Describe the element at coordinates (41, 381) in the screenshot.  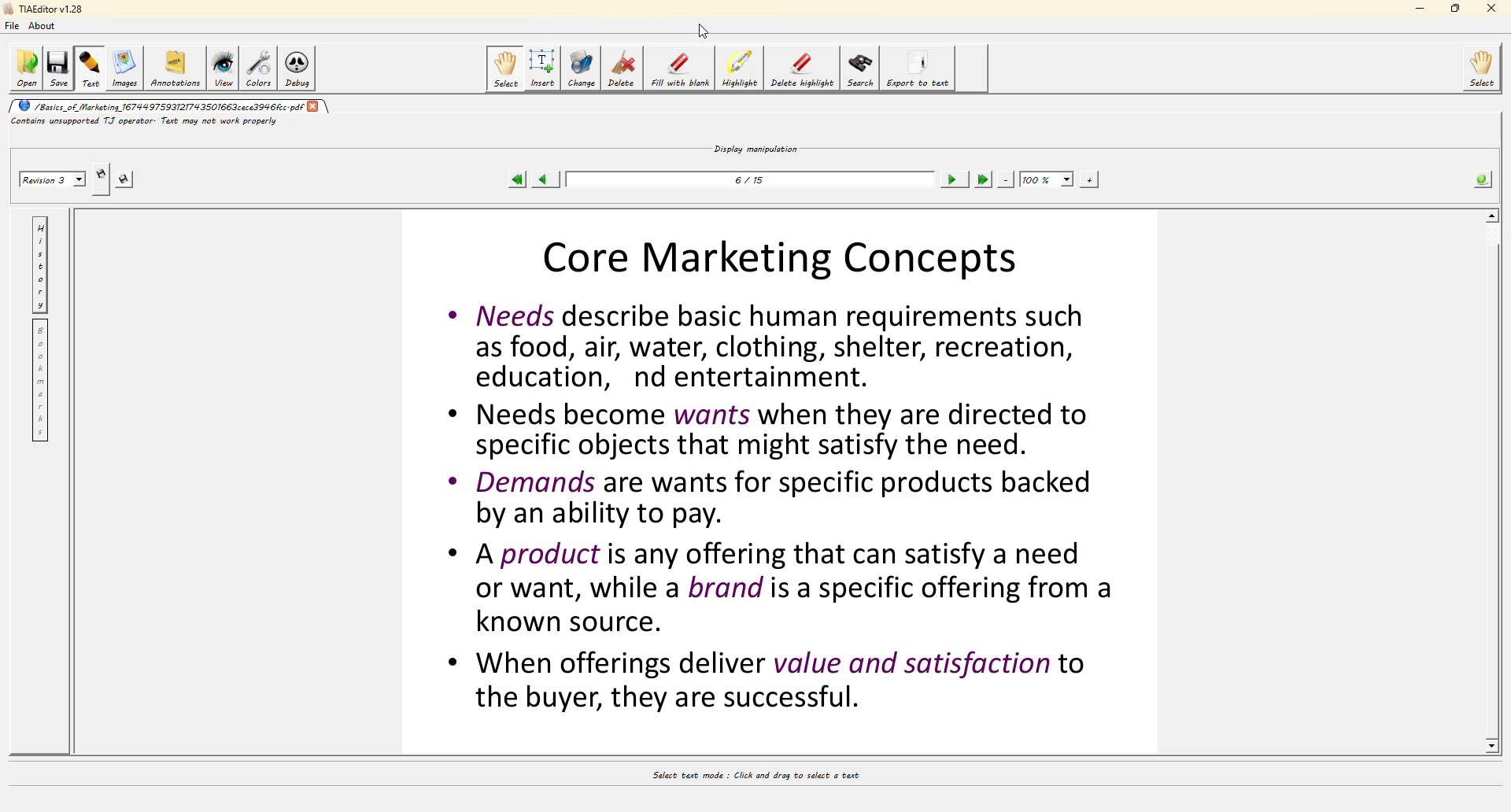
I see `bookmarks` at that location.